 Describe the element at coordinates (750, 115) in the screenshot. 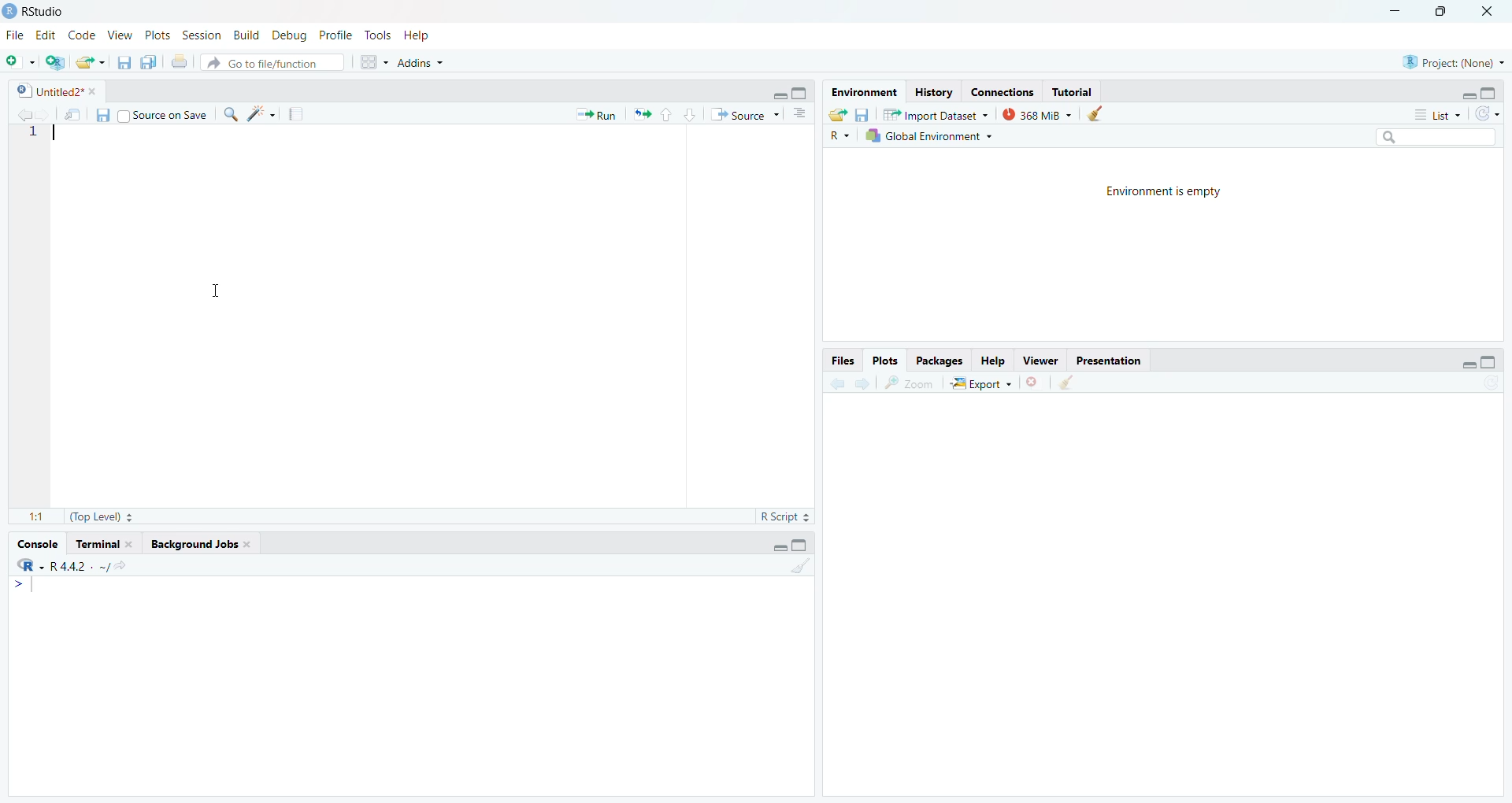

I see `“* Source ~` at that location.